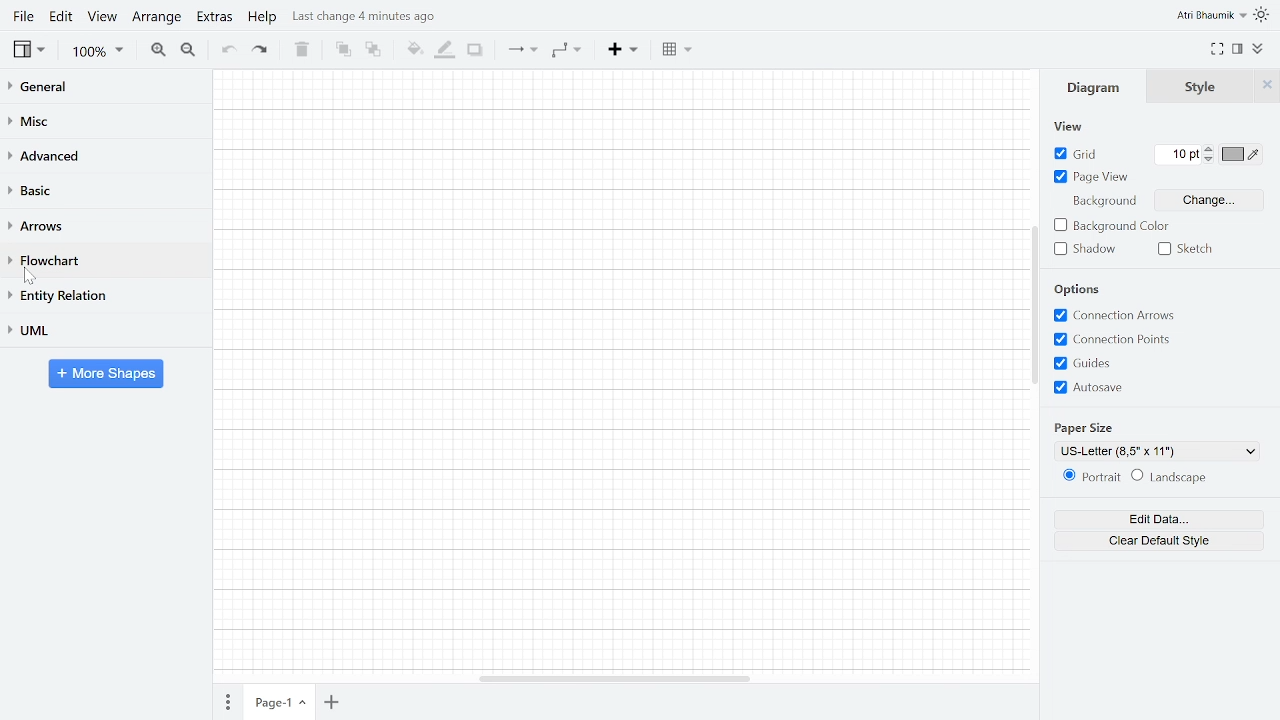 The width and height of the screenshot is (1280, 720). What do you see at coordinates (282, 701) in the screenshot?
I see `current page` at bounding box center [282, 701].